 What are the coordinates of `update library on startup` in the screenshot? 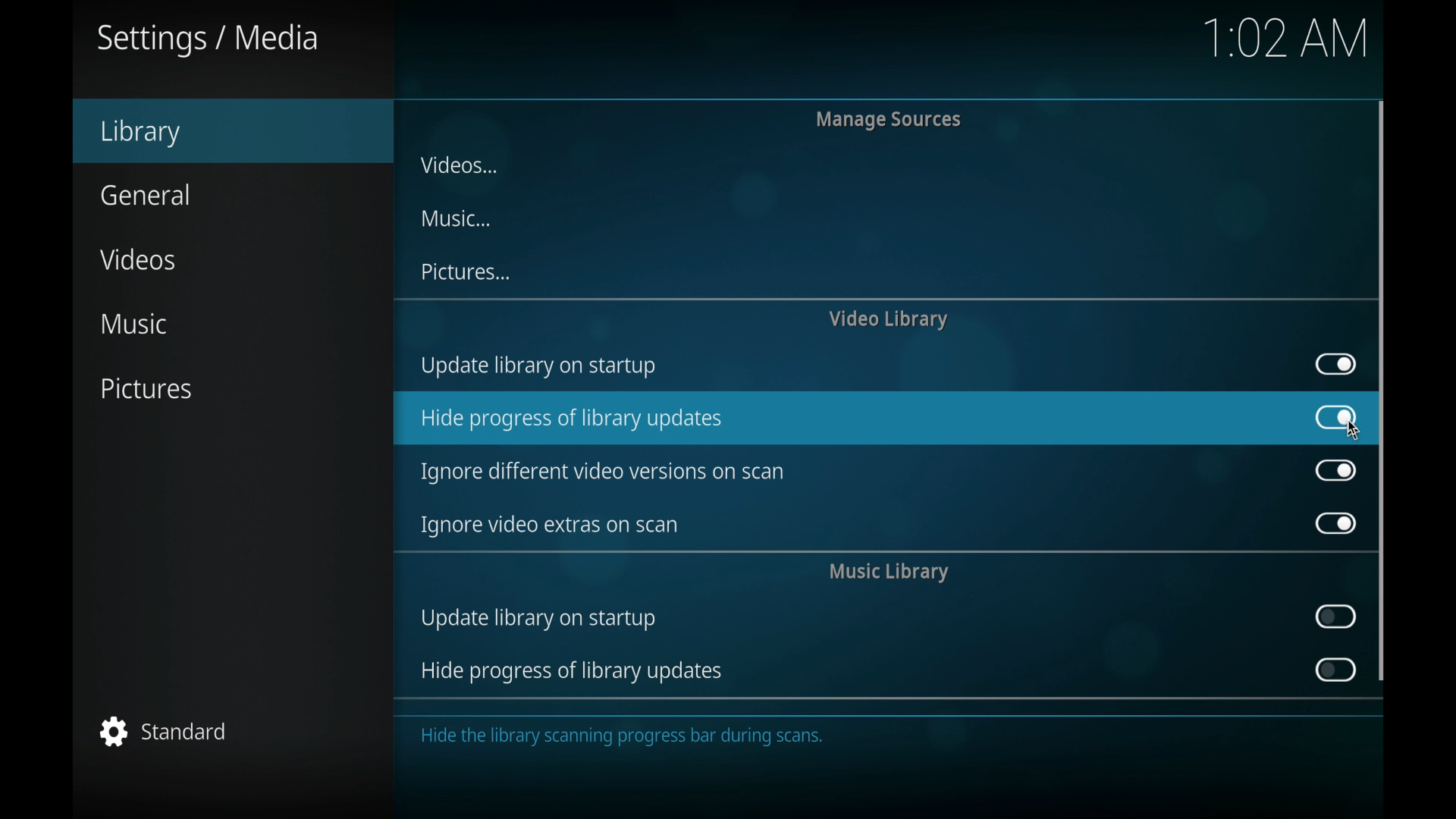 It's located at (538, 619).